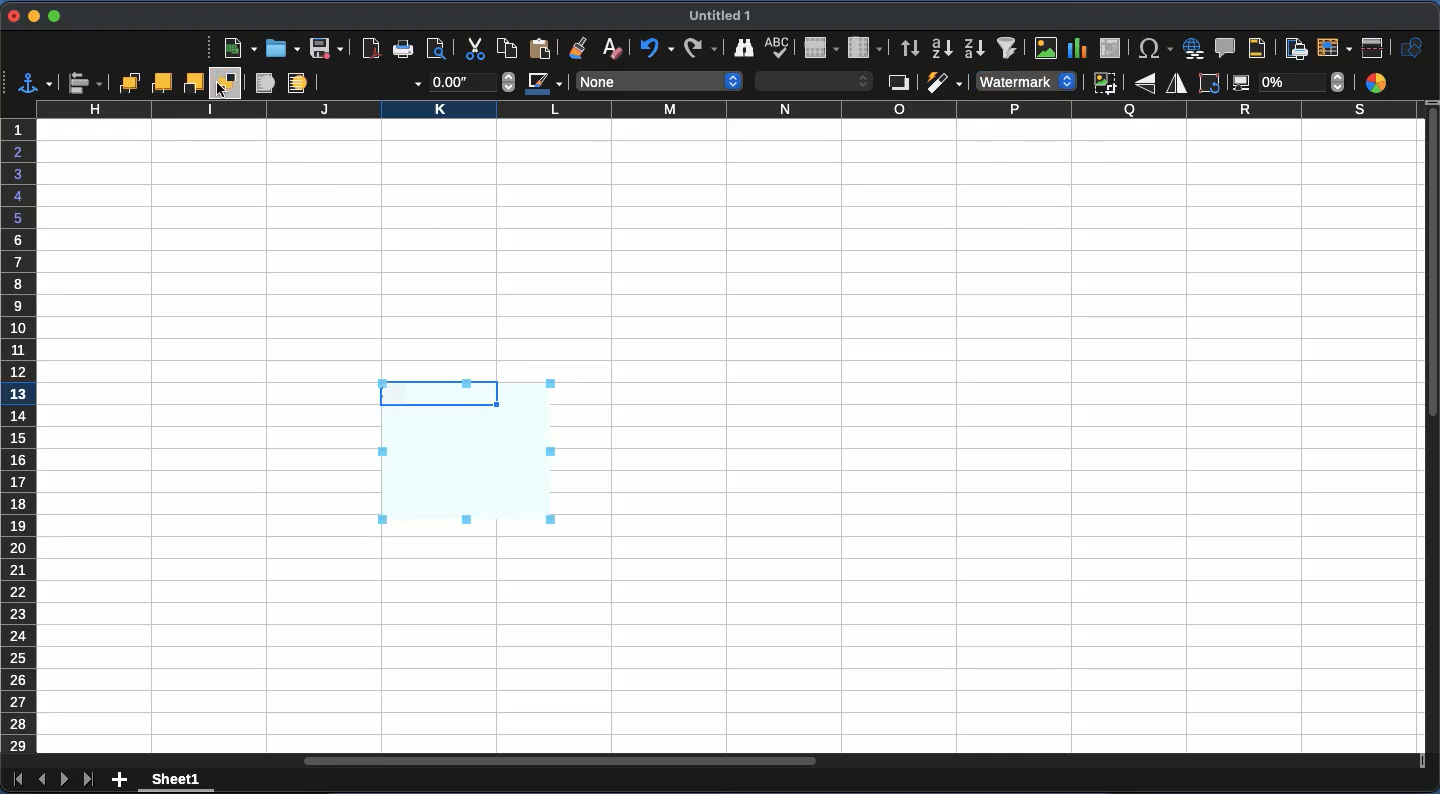 Image resolution: width=1440 pixels, height=794 pixels. Describe the element at coordinates (719, 15) in the screenshot. I see `untitled` at that location.